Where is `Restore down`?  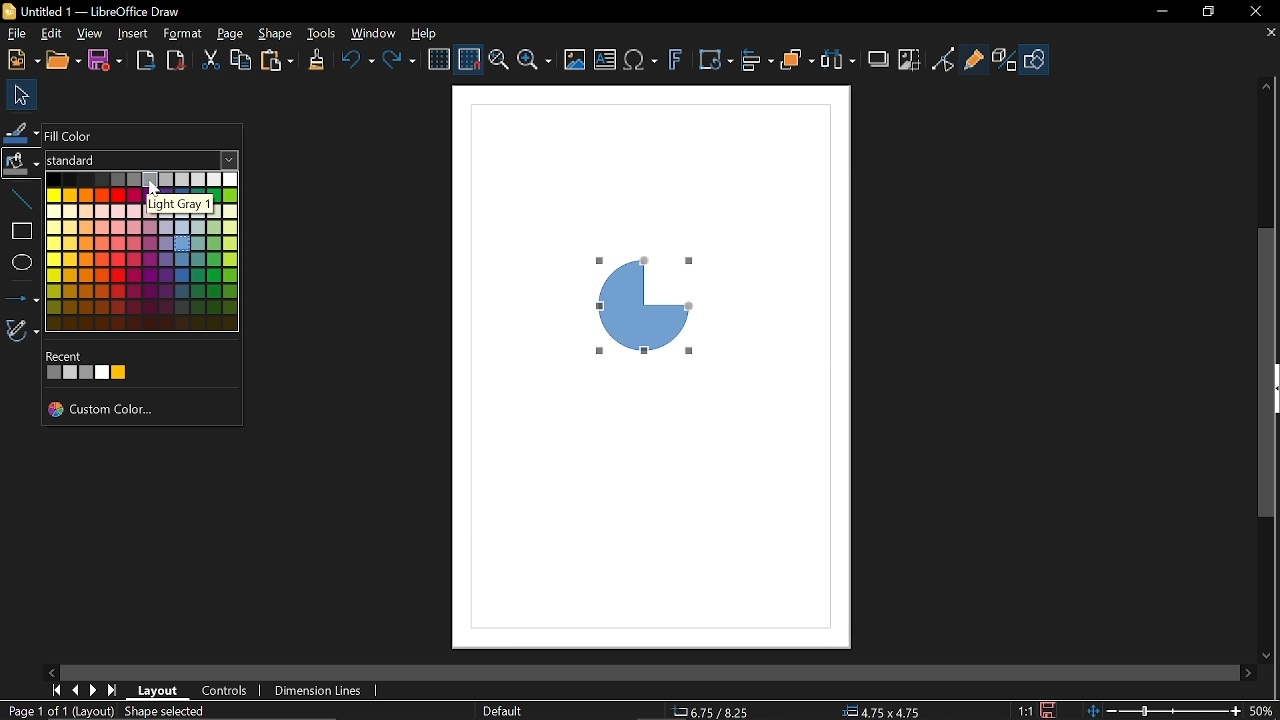 Restore down is located at coordinates (1209, 13).